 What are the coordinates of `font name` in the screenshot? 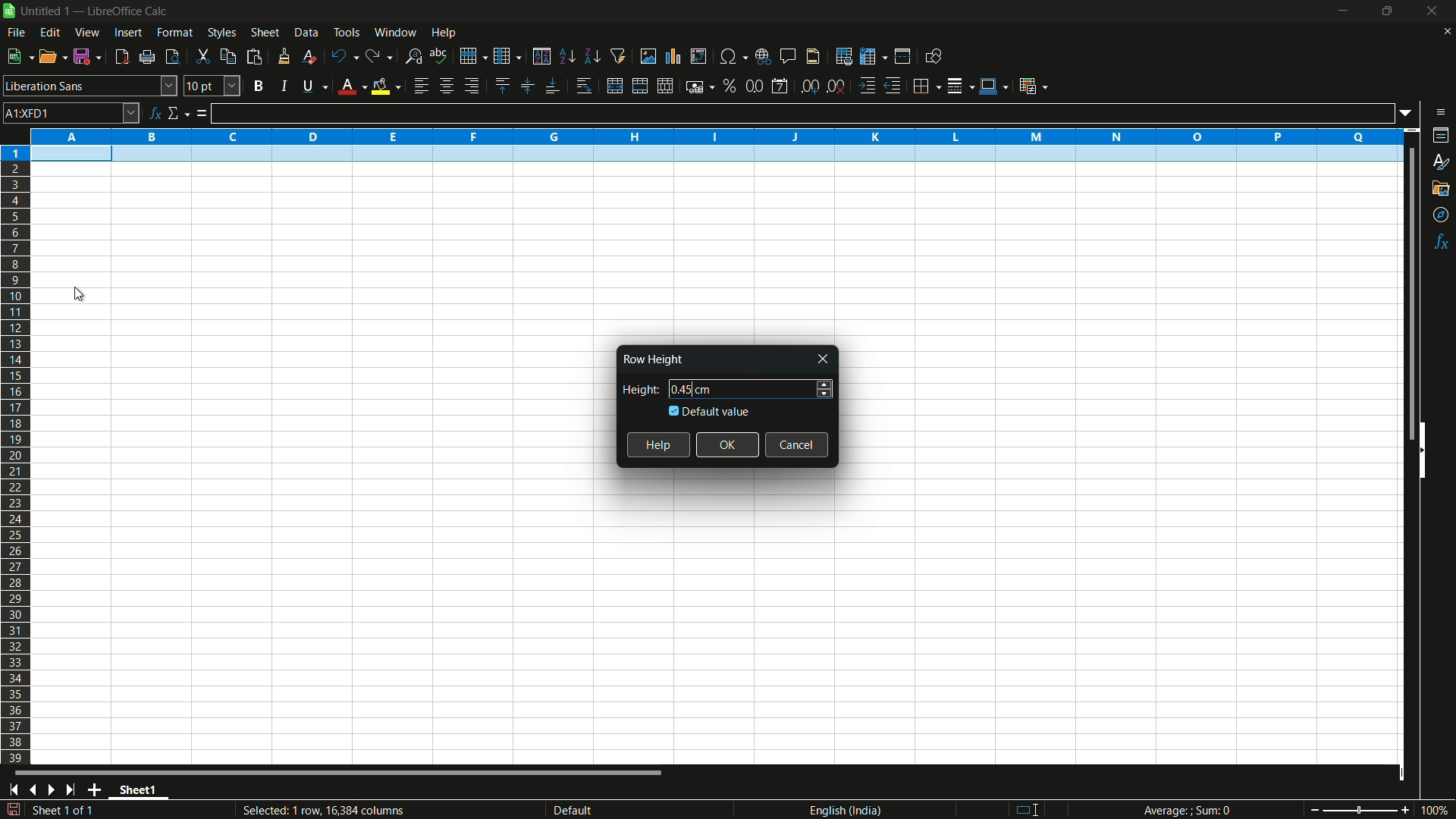 It's located at (90, 86).